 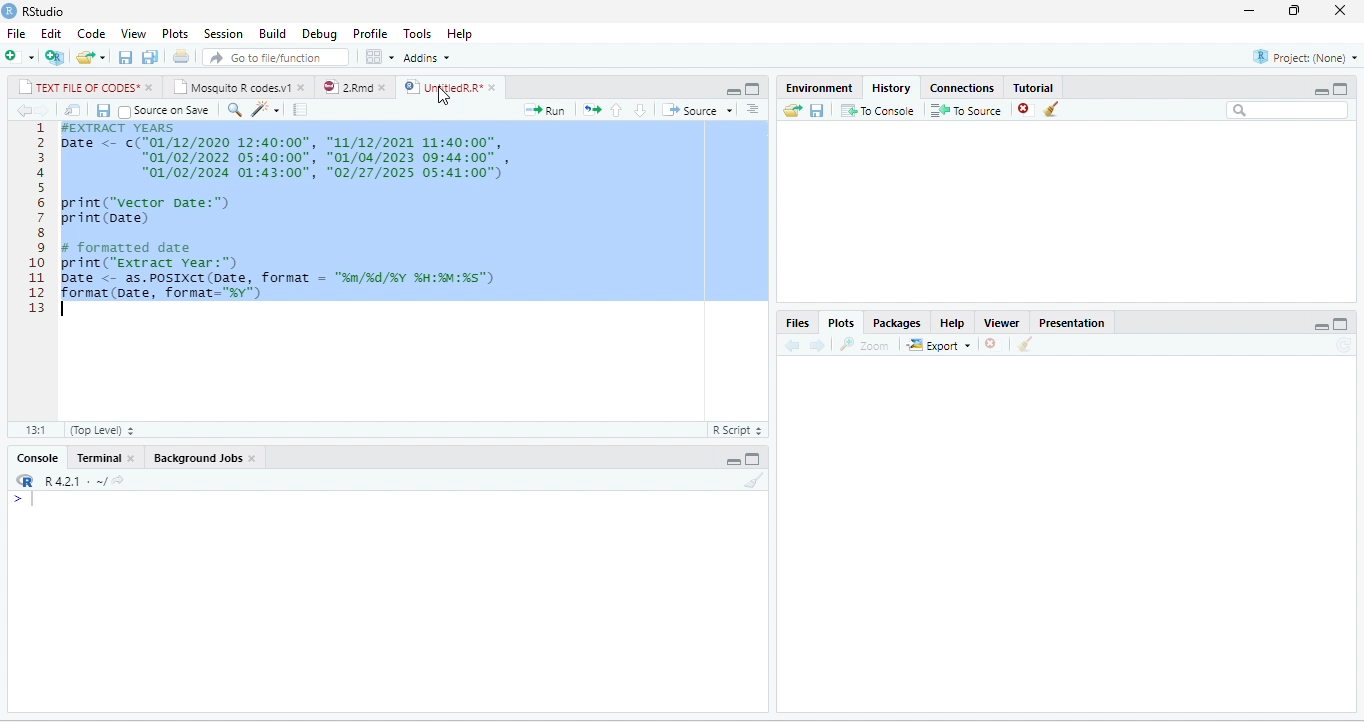 I want to click on options, so click(x=381, y=57).